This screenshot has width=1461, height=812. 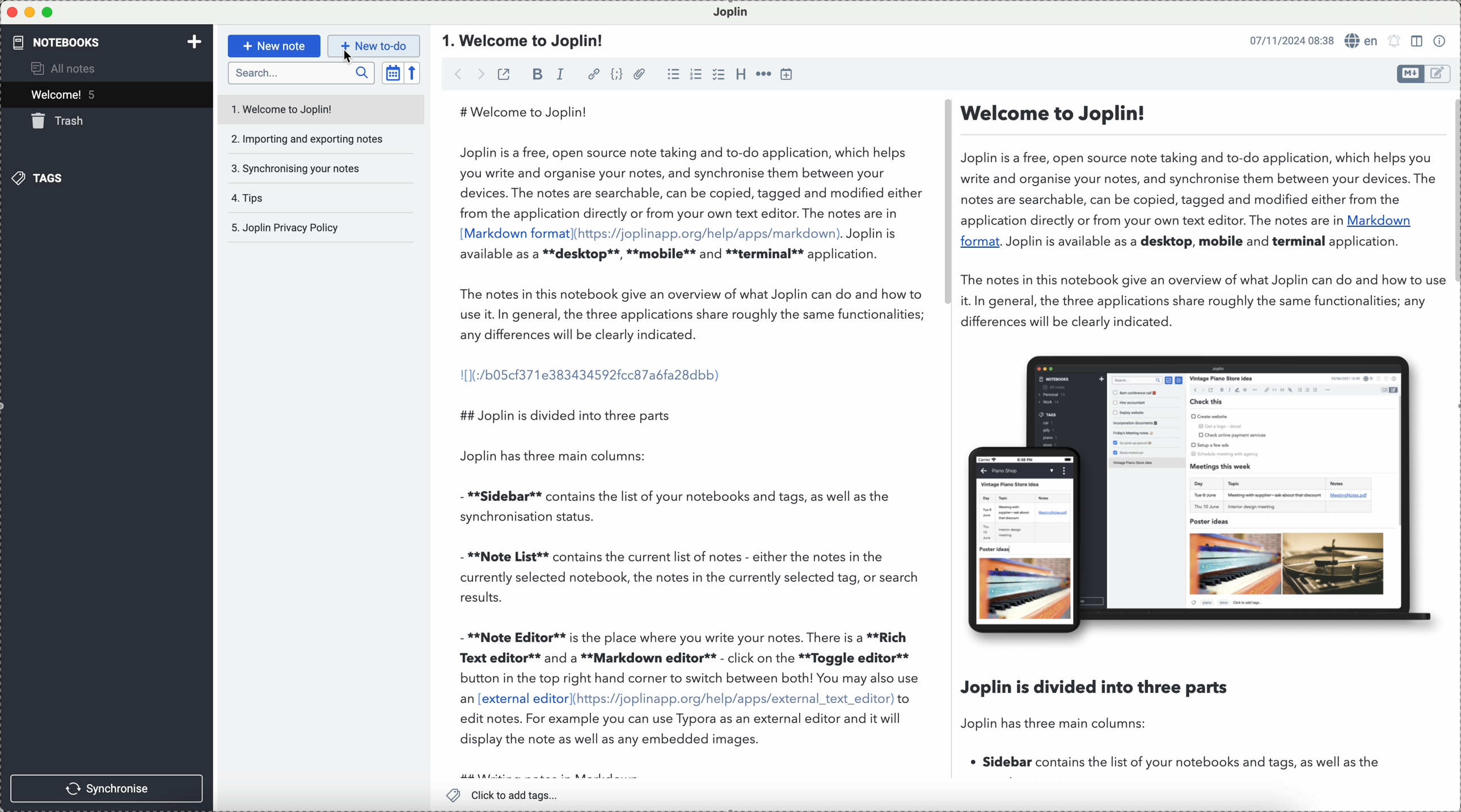 I want to click on toggle editors, so click(x=1411, y=74).